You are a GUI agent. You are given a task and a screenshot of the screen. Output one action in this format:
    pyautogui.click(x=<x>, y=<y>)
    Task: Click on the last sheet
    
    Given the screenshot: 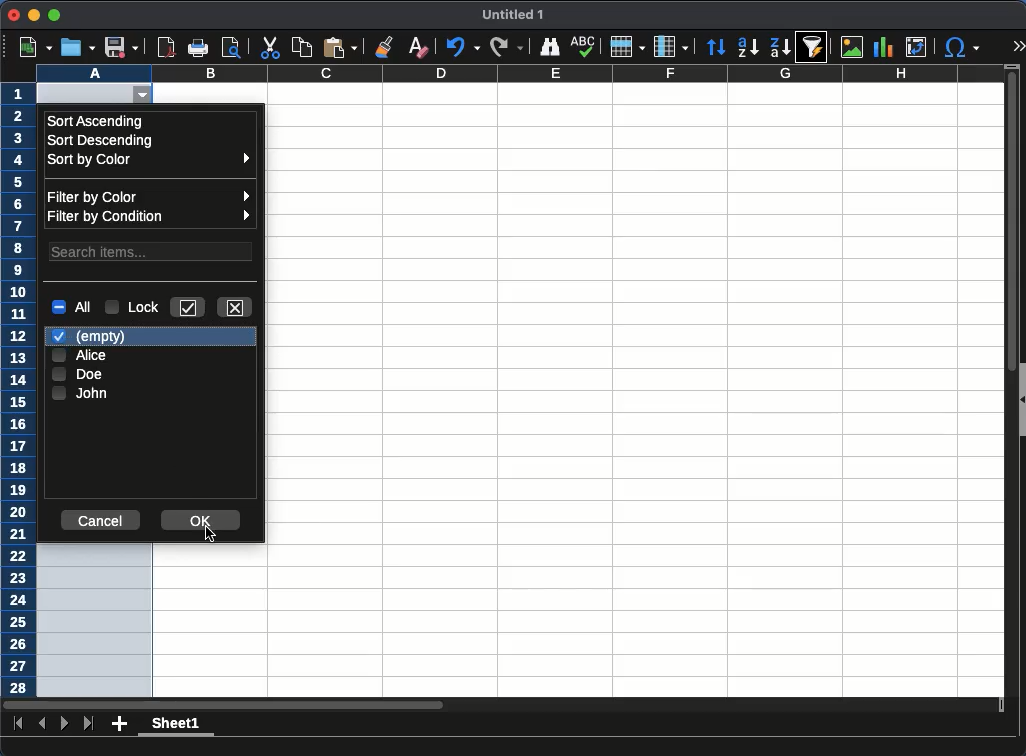 What is the action you would take?
    pyautogui.click(x=90, y=724)
    